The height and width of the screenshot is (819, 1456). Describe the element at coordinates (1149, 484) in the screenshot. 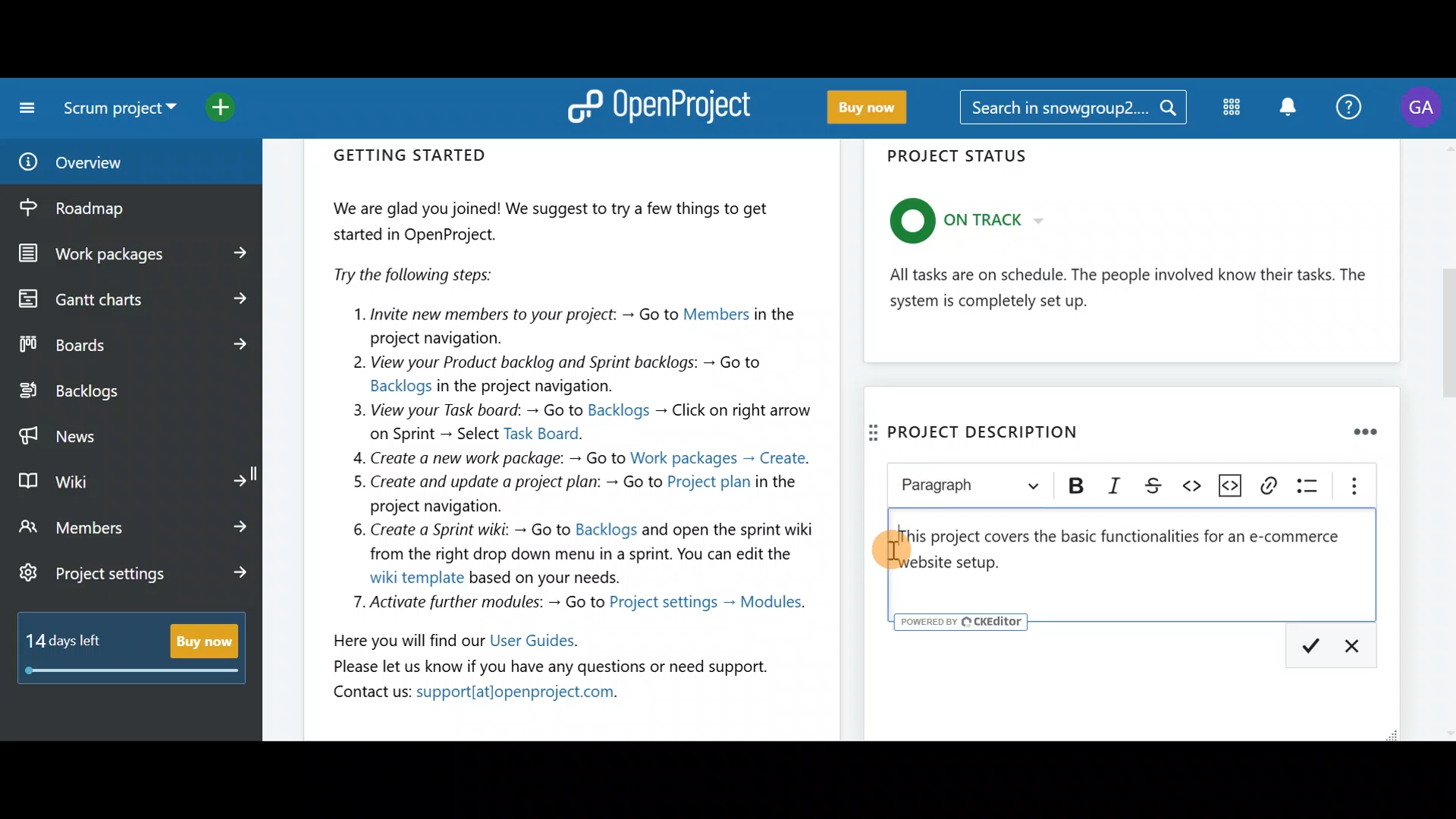

I see `Strikethrough` at that location.